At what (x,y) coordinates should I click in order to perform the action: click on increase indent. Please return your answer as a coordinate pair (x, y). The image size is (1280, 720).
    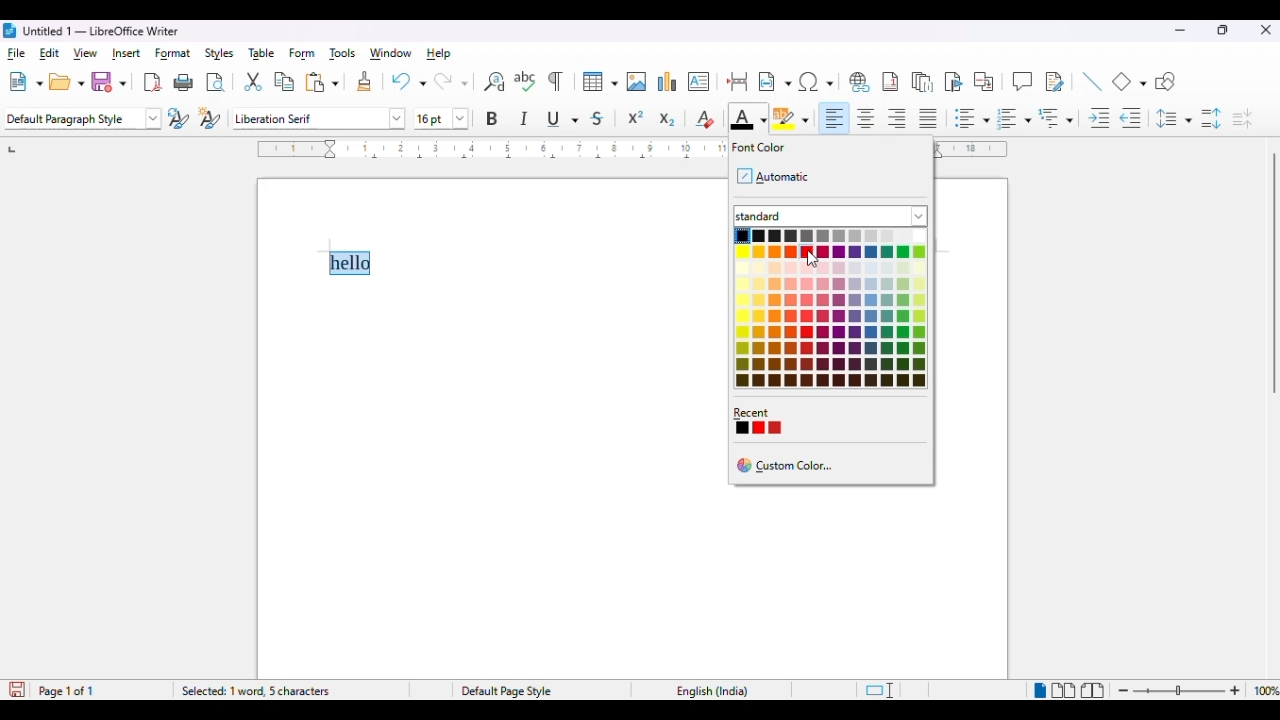
    Looking at the image, I should click on (1098, 119).